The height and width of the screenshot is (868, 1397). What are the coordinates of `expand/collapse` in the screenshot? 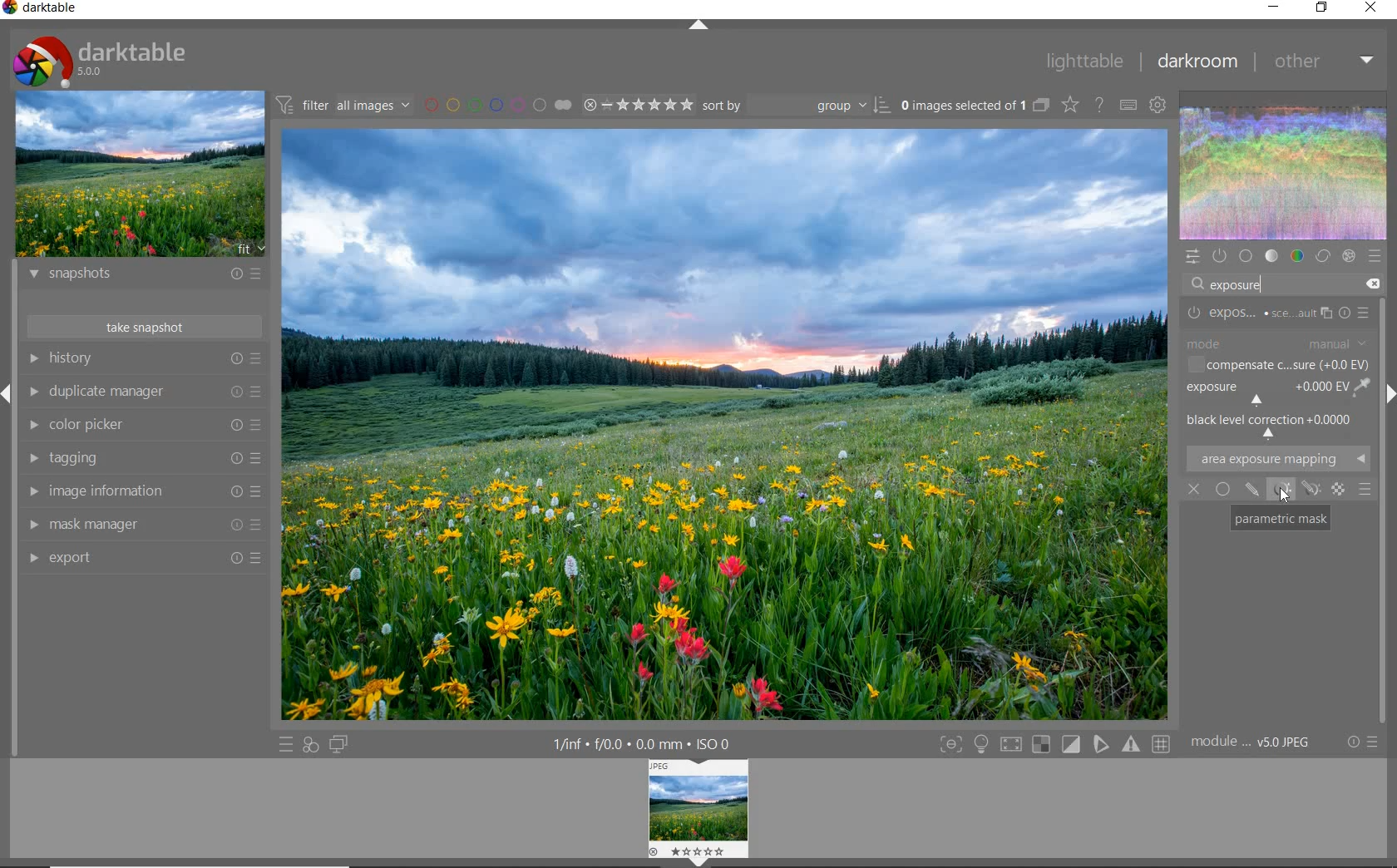 It's located at (702, 28).